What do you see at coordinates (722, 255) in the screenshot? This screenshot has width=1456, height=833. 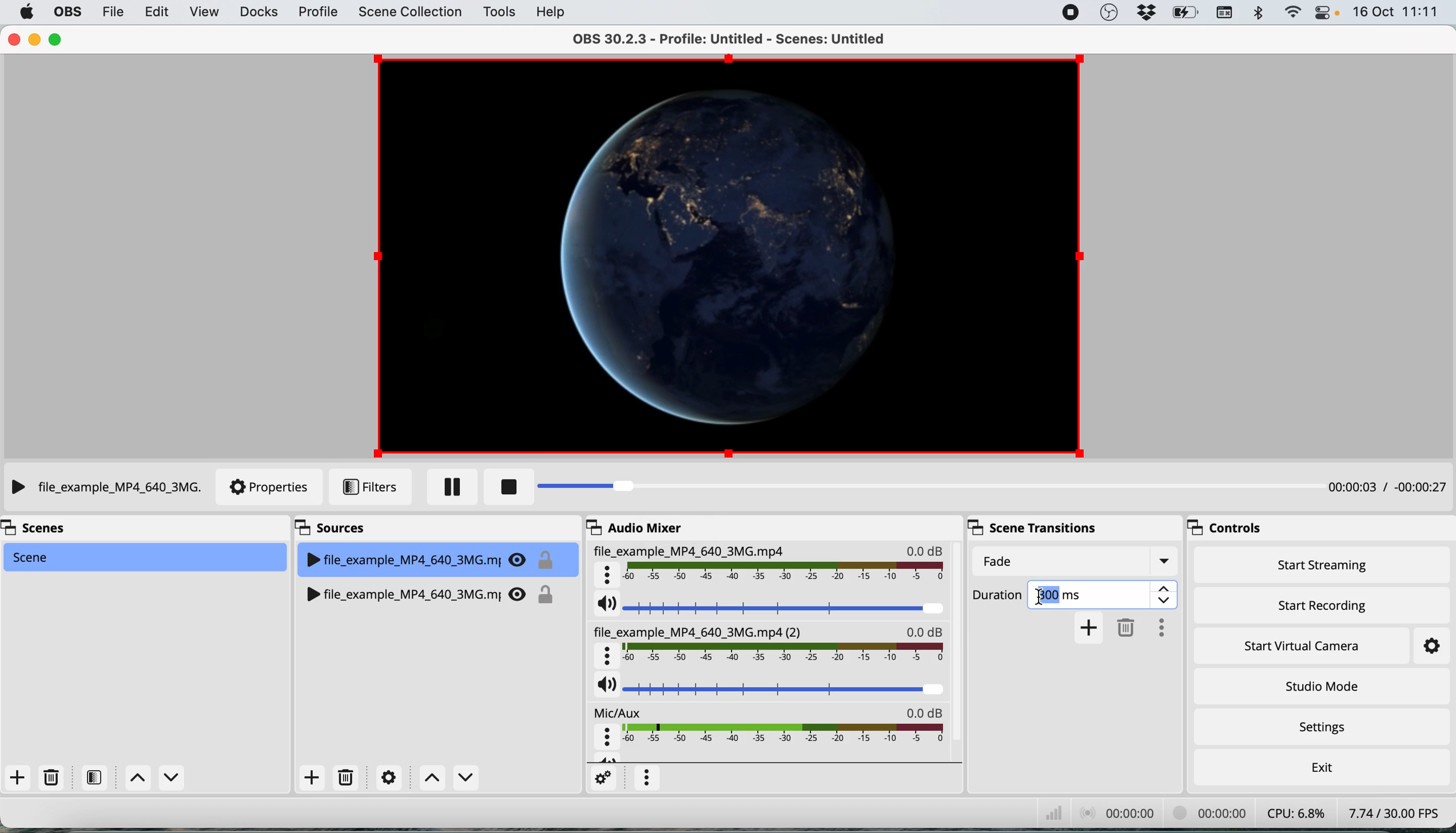 I see `current source` at bounding box center [722, 255].